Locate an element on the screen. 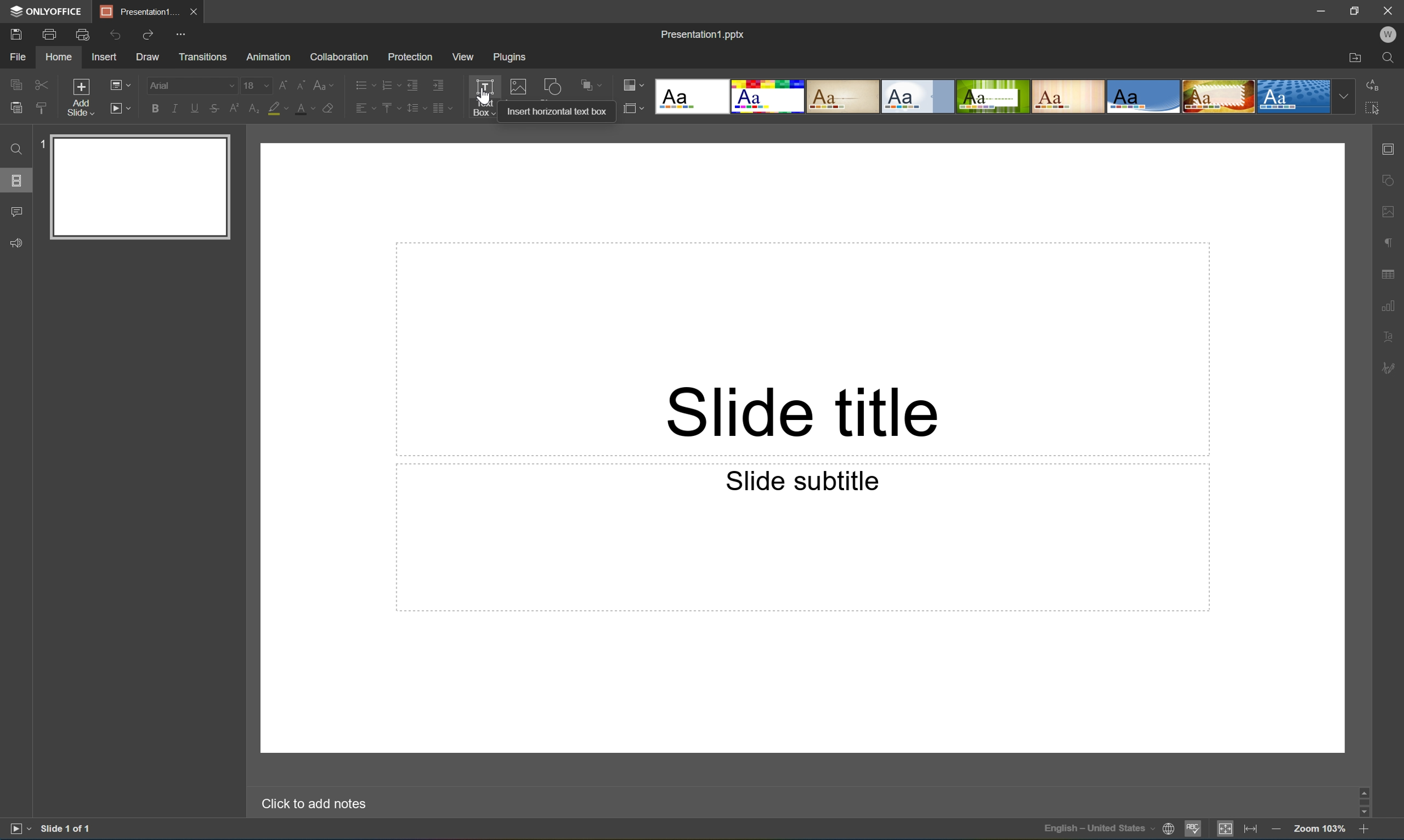 This screenshot has height=840, width=1404. Transitions is located at coordinates (202, 56).